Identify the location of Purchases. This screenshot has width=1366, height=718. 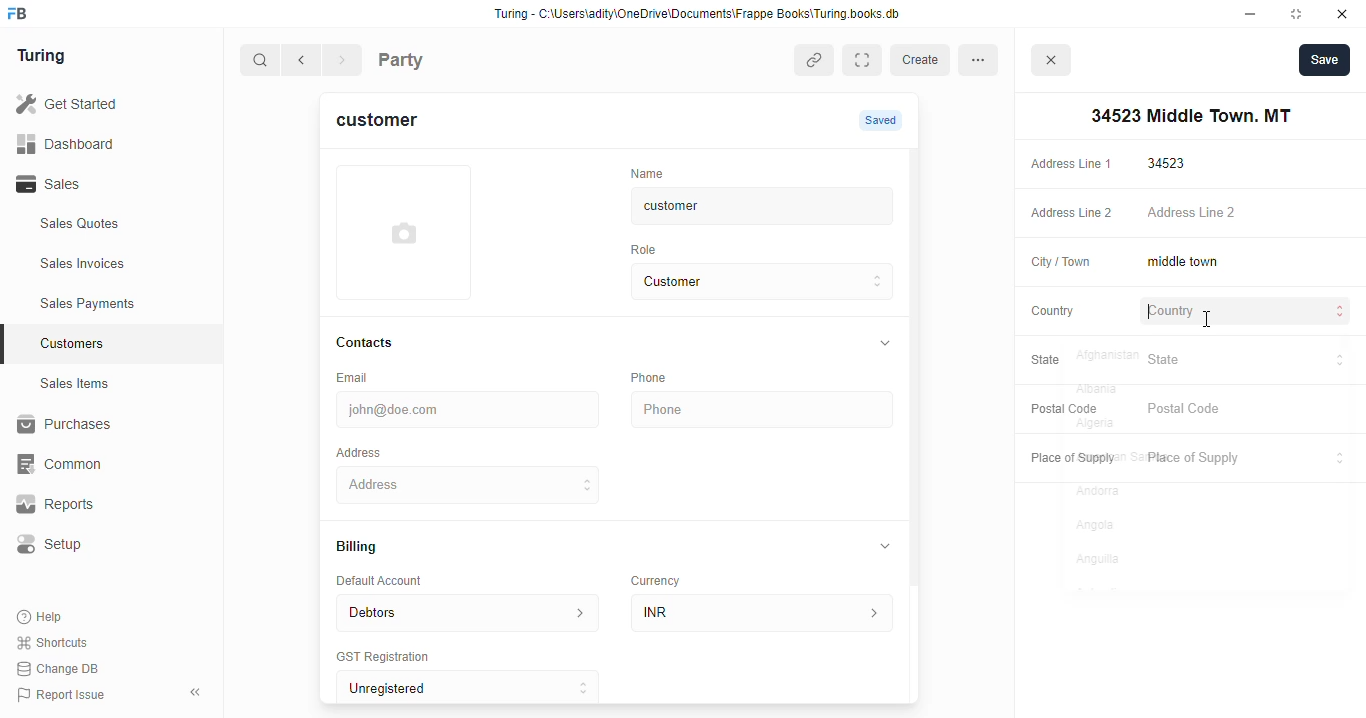
(100, 427).